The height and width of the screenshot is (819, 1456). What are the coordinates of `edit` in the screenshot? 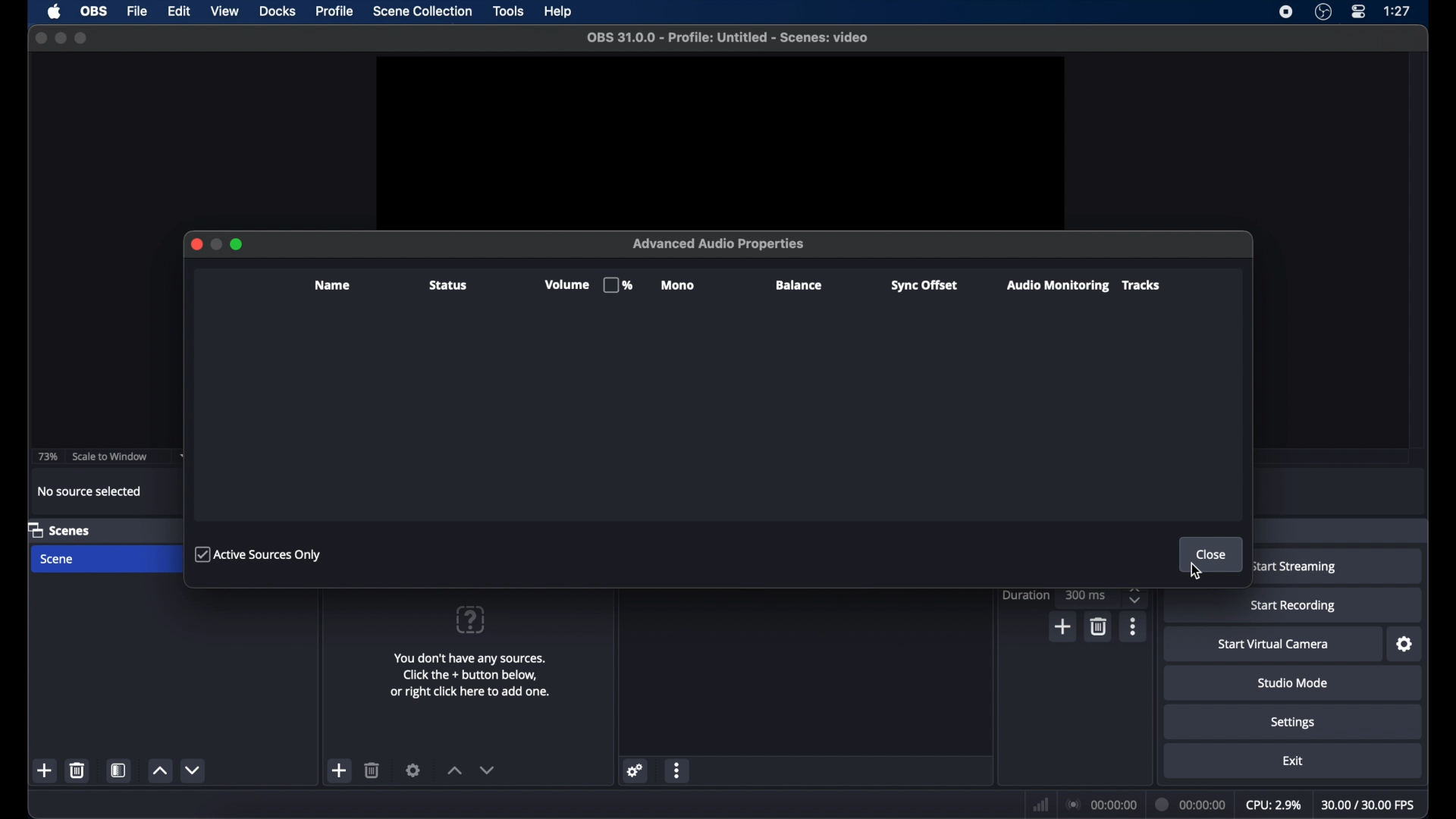 It's located at (178, 12).